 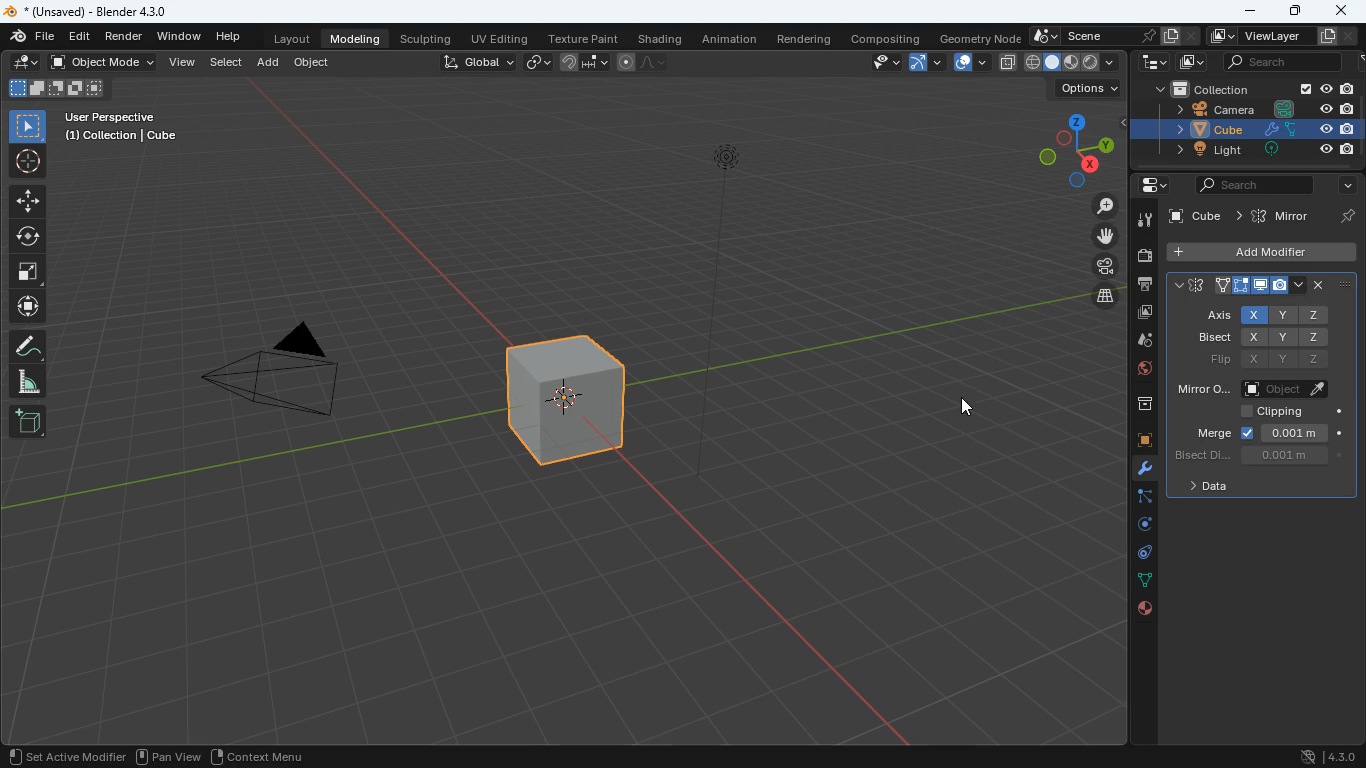 I want to click on , so click(x=1347, y=108).